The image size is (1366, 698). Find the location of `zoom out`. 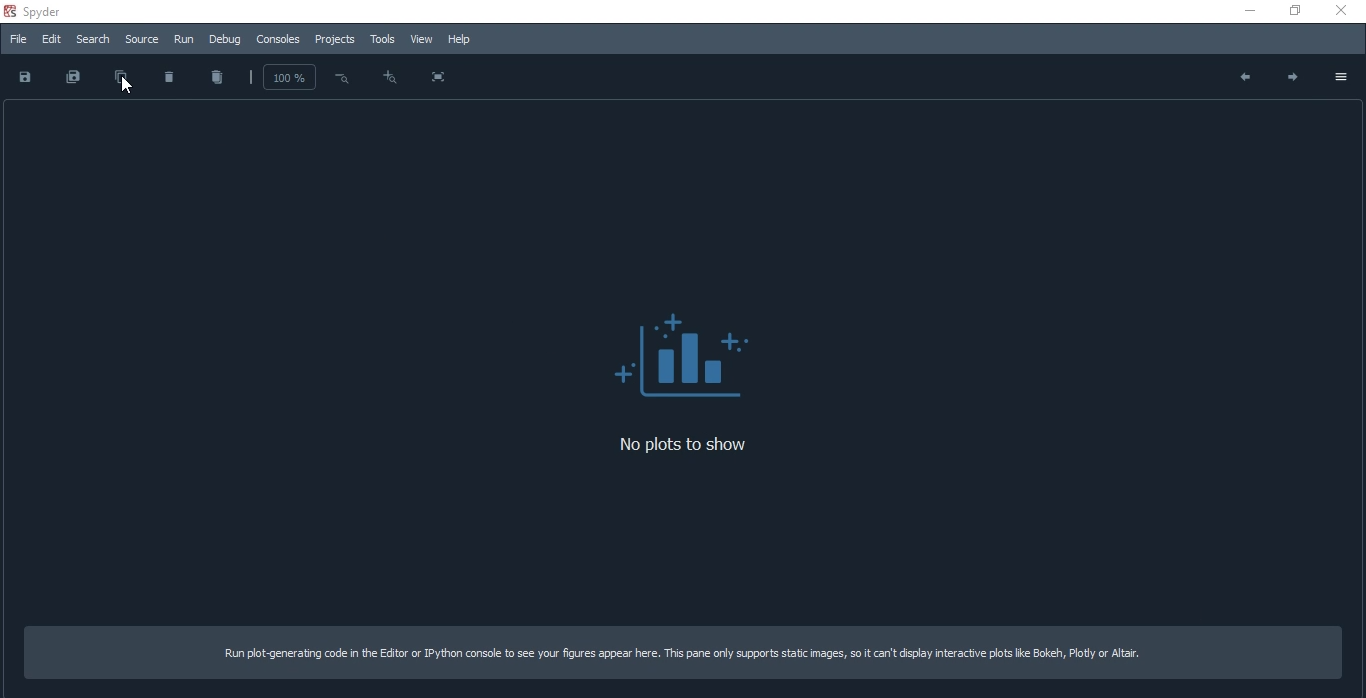

zoom out is located at coordinates (340, 77).